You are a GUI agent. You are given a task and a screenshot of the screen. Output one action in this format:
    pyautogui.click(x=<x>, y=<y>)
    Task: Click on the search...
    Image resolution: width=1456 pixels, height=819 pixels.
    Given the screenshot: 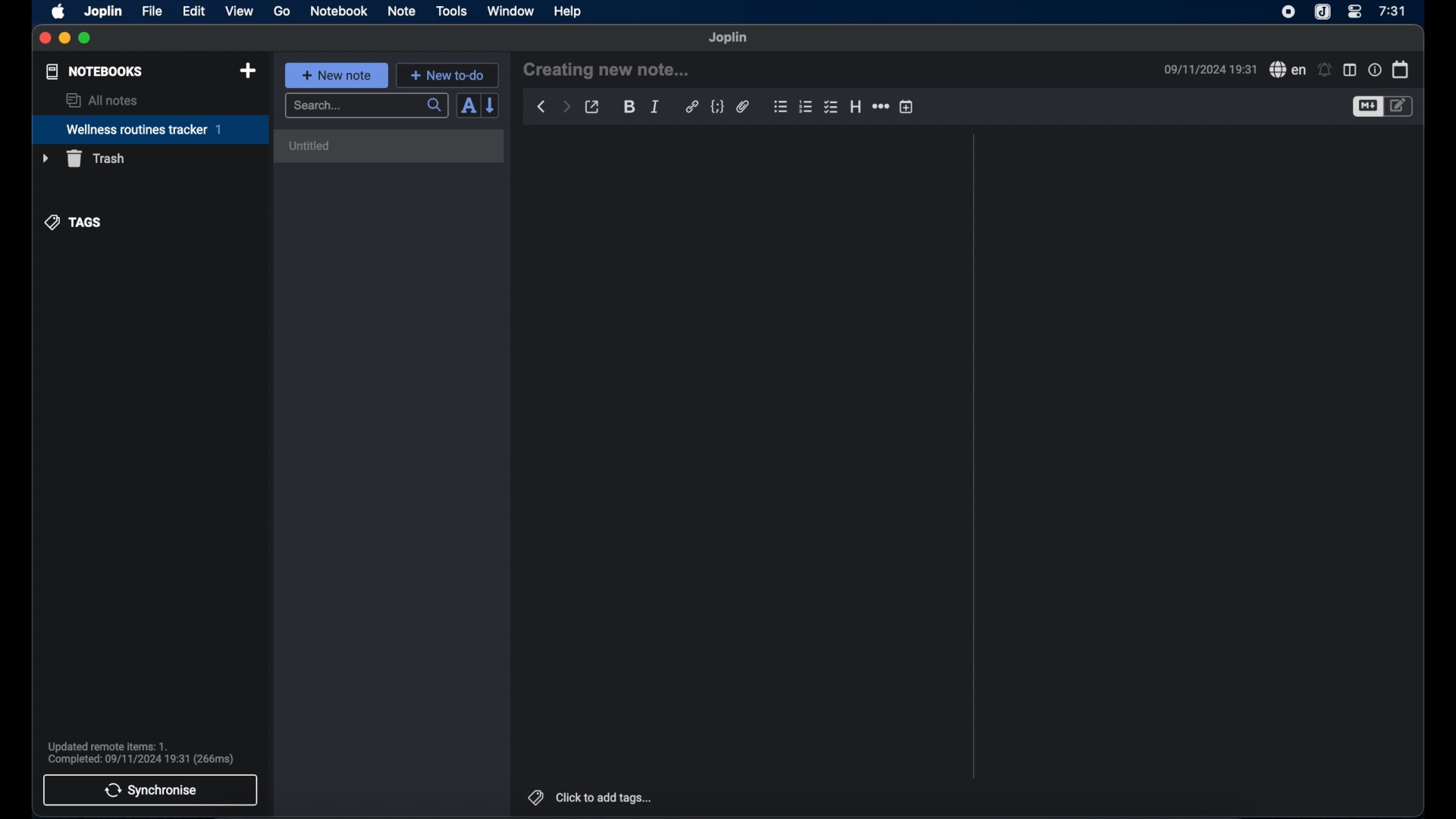 What is the action you would take?
    pyautogui.click(x=368, y=106)
    